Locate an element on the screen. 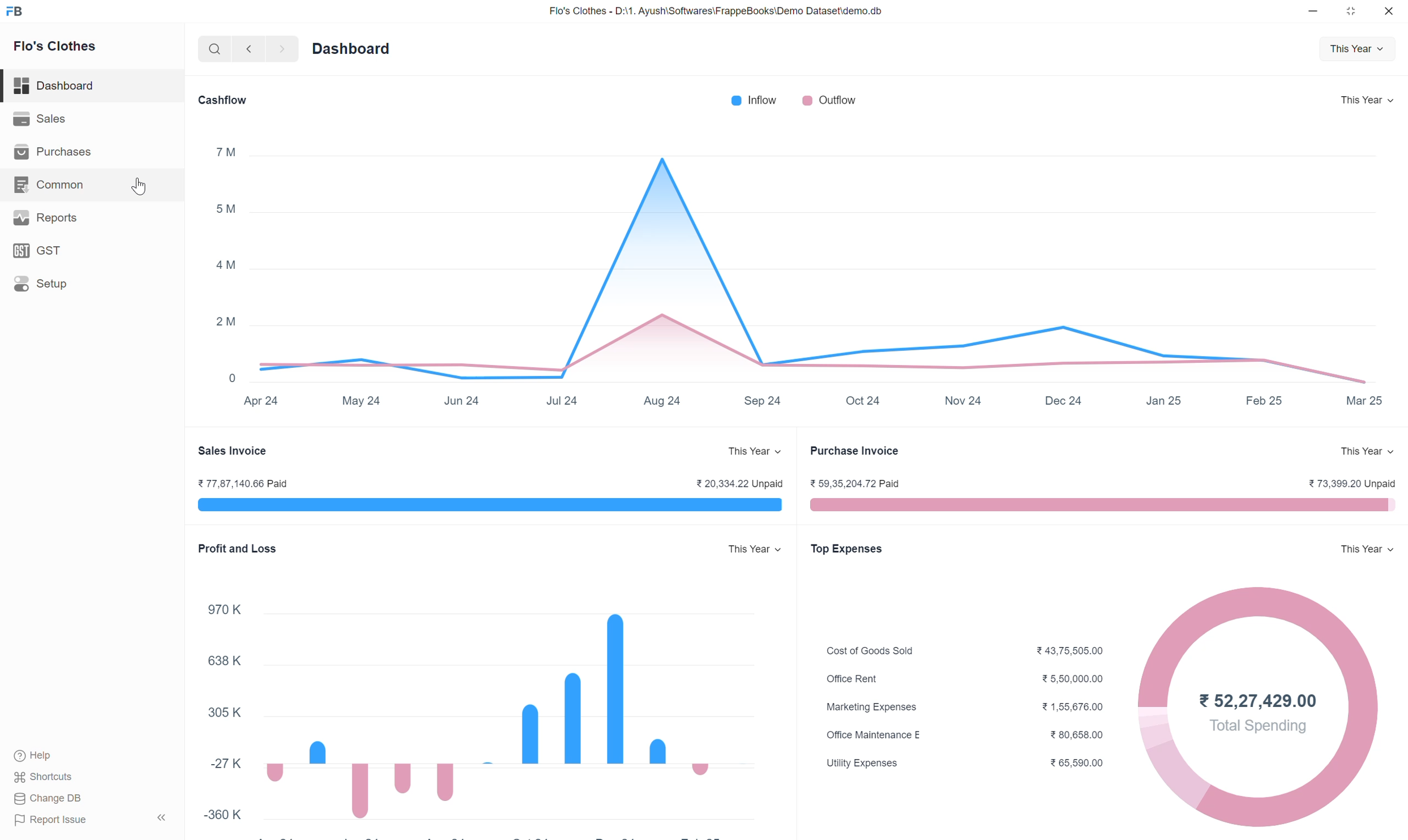 The width and height of the screenshot is (1408, 840). Common is located at coordinates (53, 183).